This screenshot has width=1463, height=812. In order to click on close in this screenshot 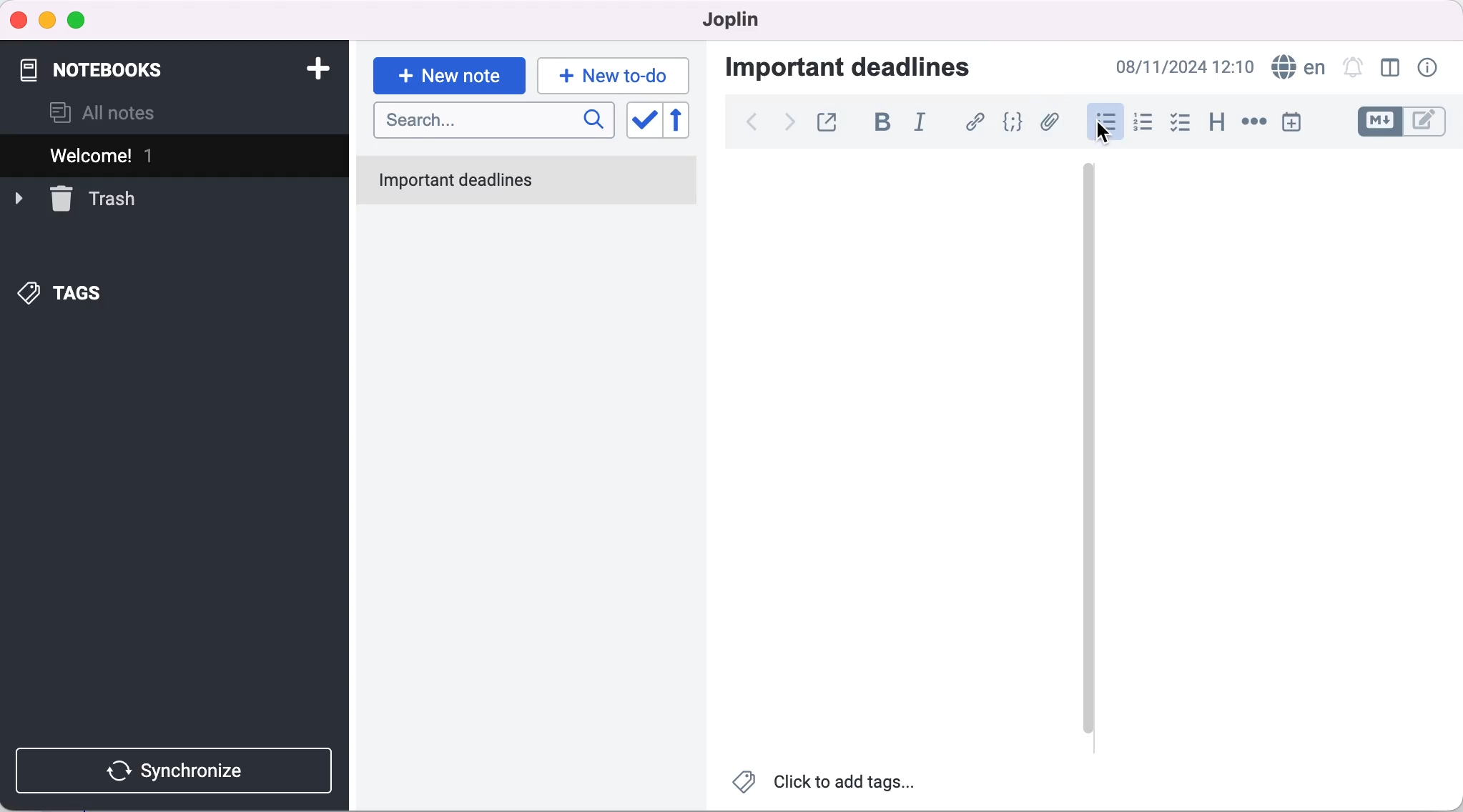, I will do `click(19, 19)`.